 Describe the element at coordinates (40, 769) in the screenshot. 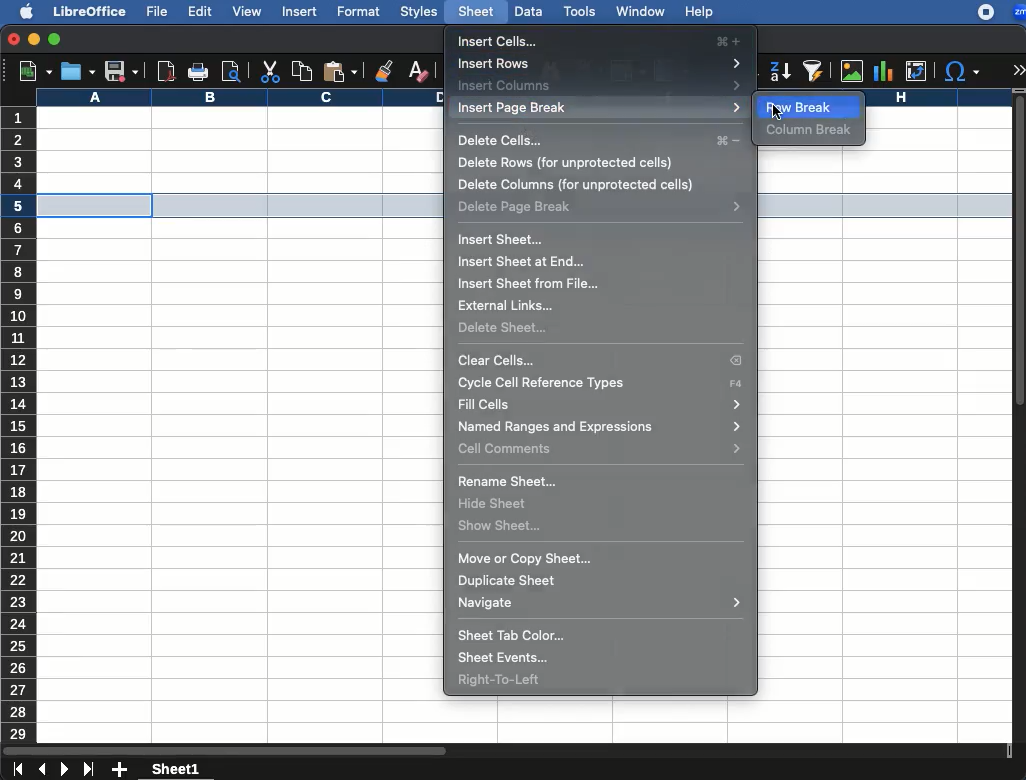

I see `previous sheet` at that location.